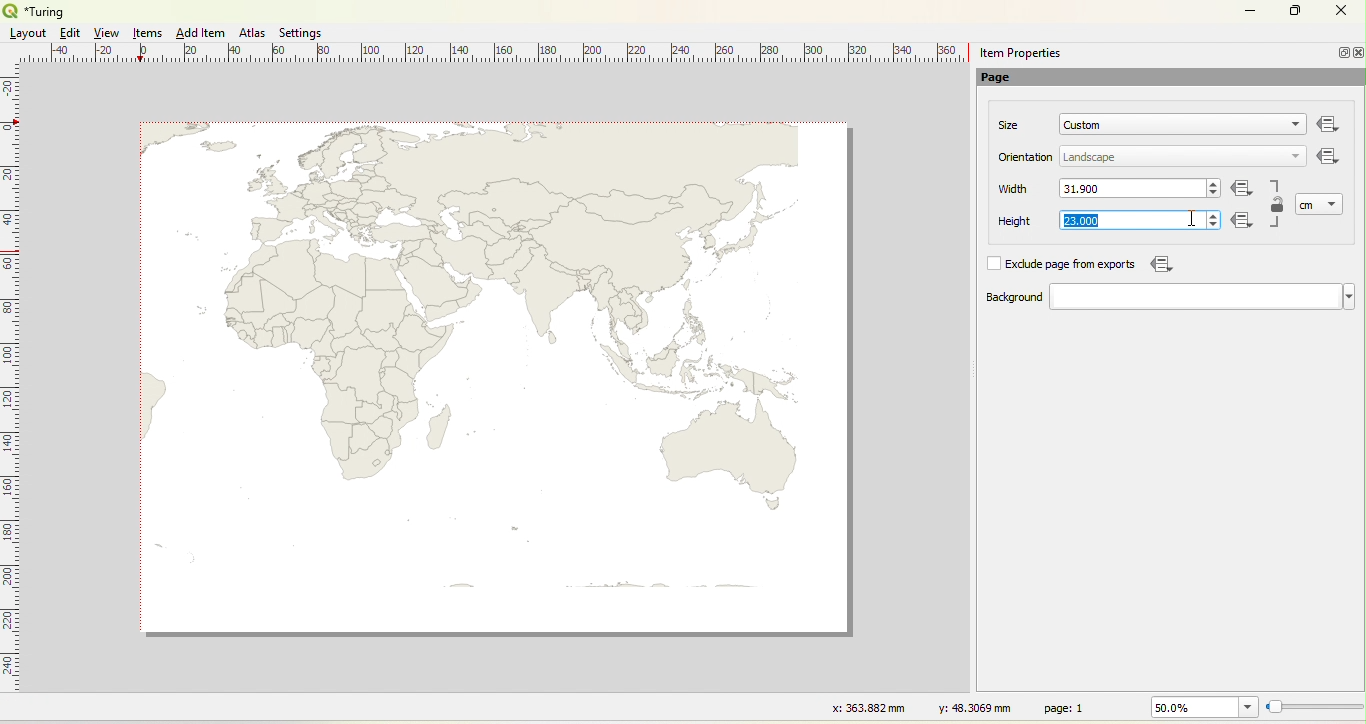 Image resolution: width=1366 pixels, height=724 pixels. Describe the element at coordinates (11, 391) in the screenshot. I see `Ruler` at that location.